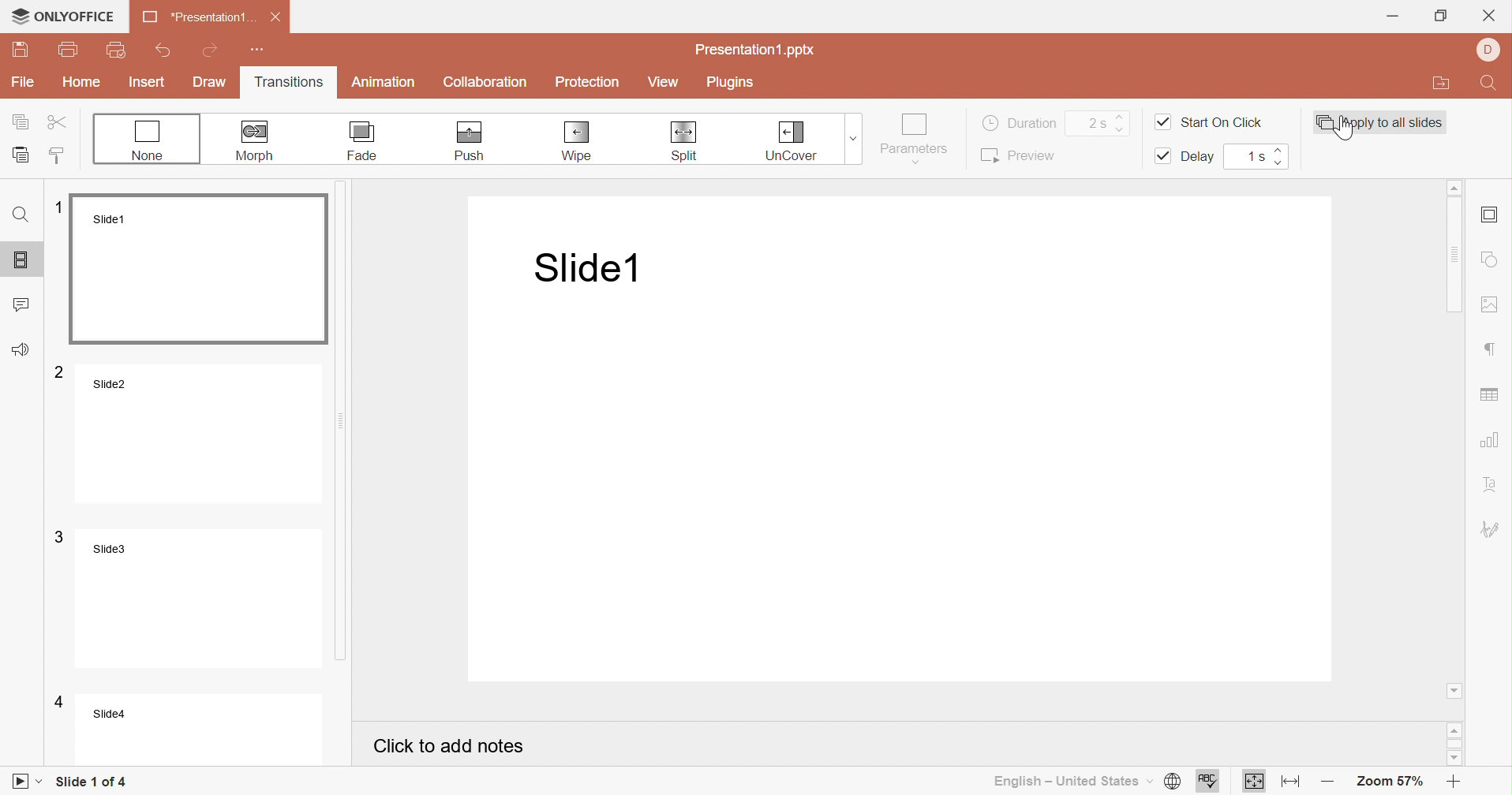 The width and height of the screenshot is (1512, 795). Describe the element at coordinates (1017, 155) in the screenshot. I see `Preview` at that location.